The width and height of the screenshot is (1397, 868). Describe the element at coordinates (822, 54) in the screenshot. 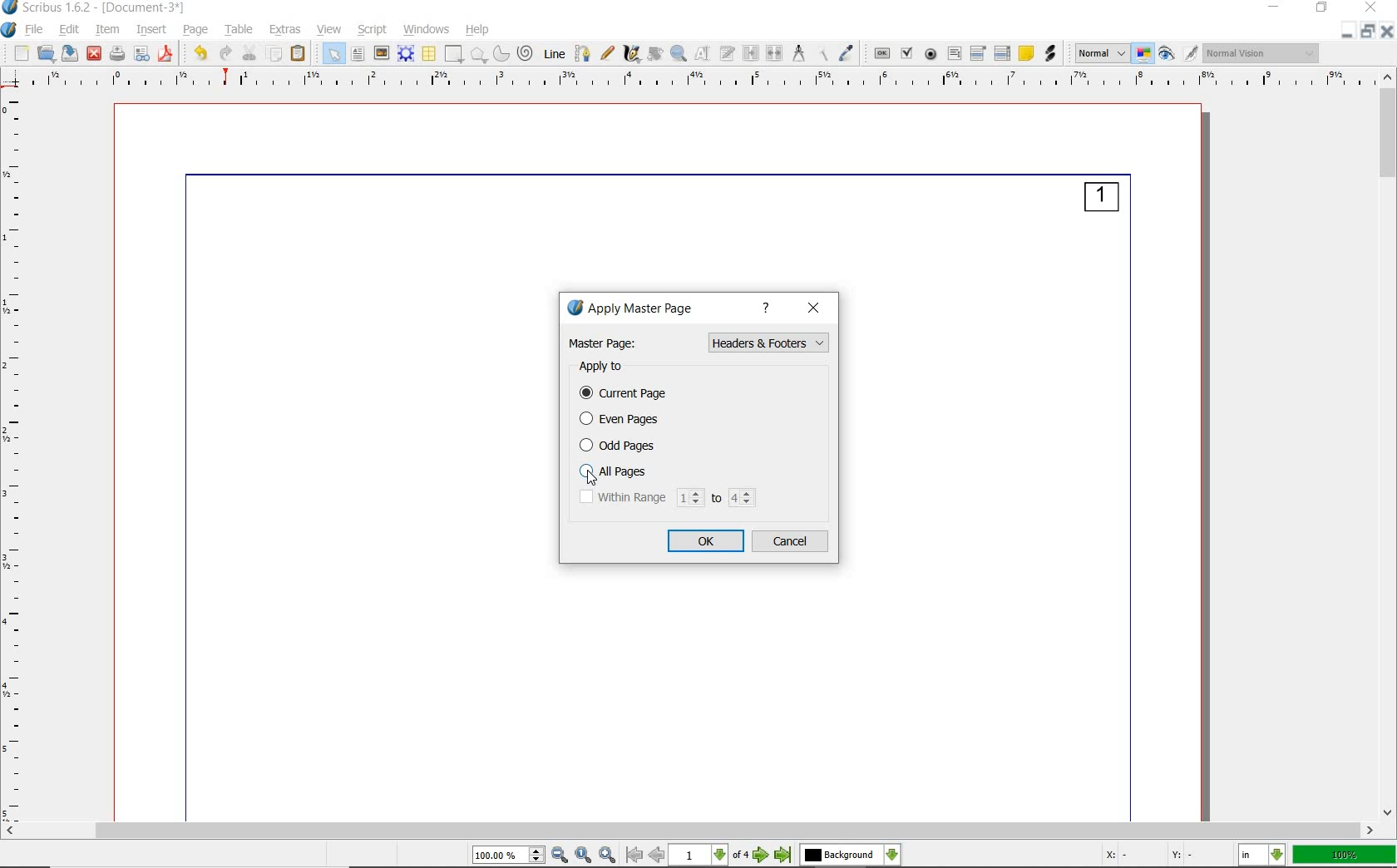

I see `copy item properties` at that location.